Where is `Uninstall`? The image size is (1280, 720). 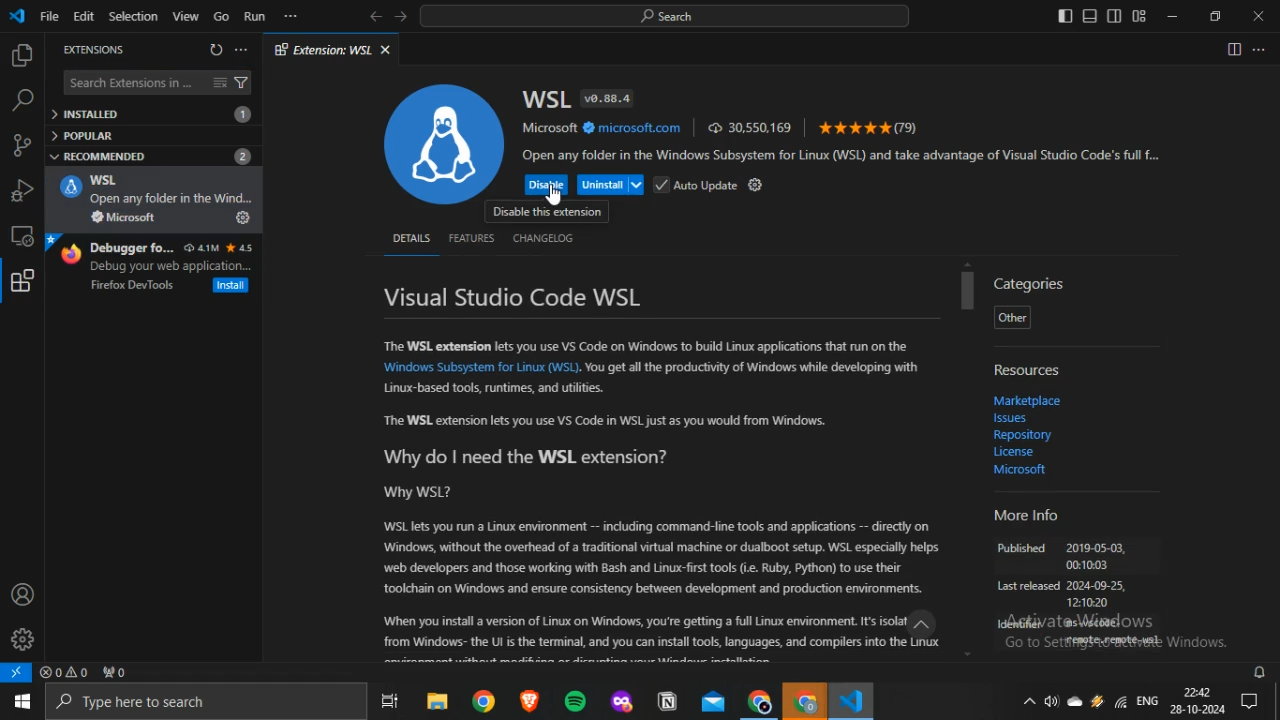 Uninstall is located at coordinates (610, 185).